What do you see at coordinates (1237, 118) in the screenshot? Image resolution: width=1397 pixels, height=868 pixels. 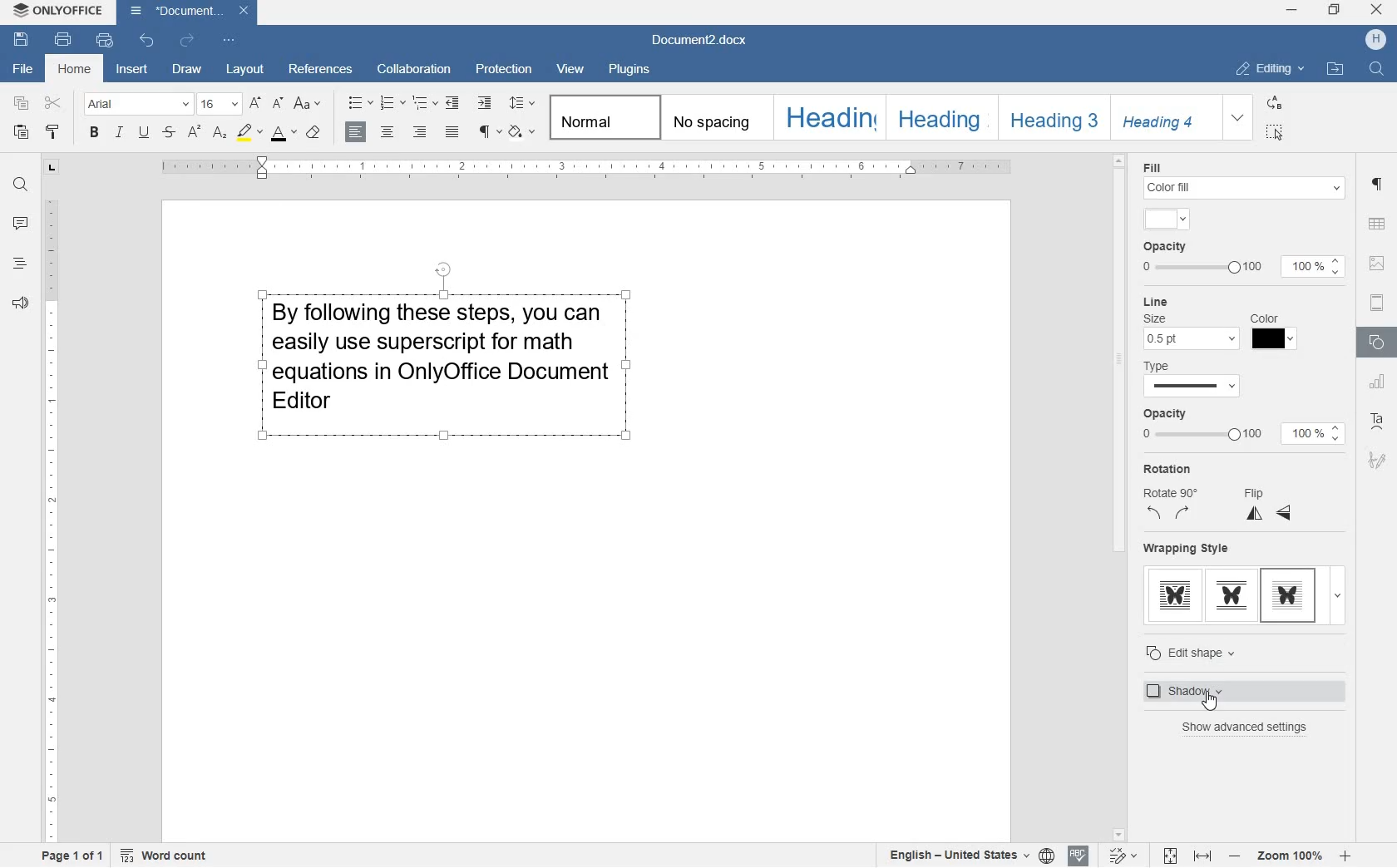 I see `EXPAND FORMATTING STYLE` at bounding box center [1237, 118].